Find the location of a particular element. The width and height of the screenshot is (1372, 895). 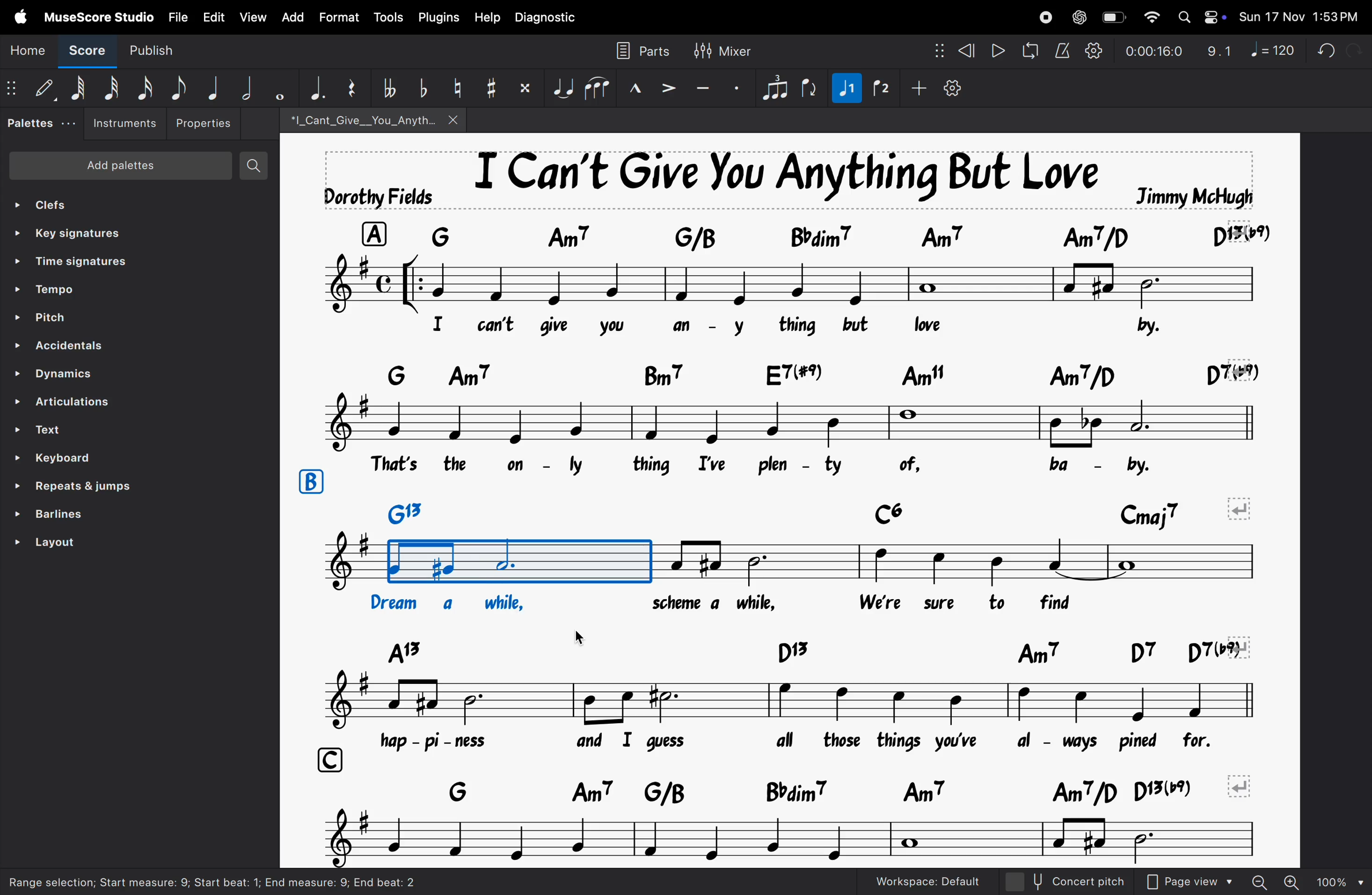

pitch is located at coordinates (54, 318).